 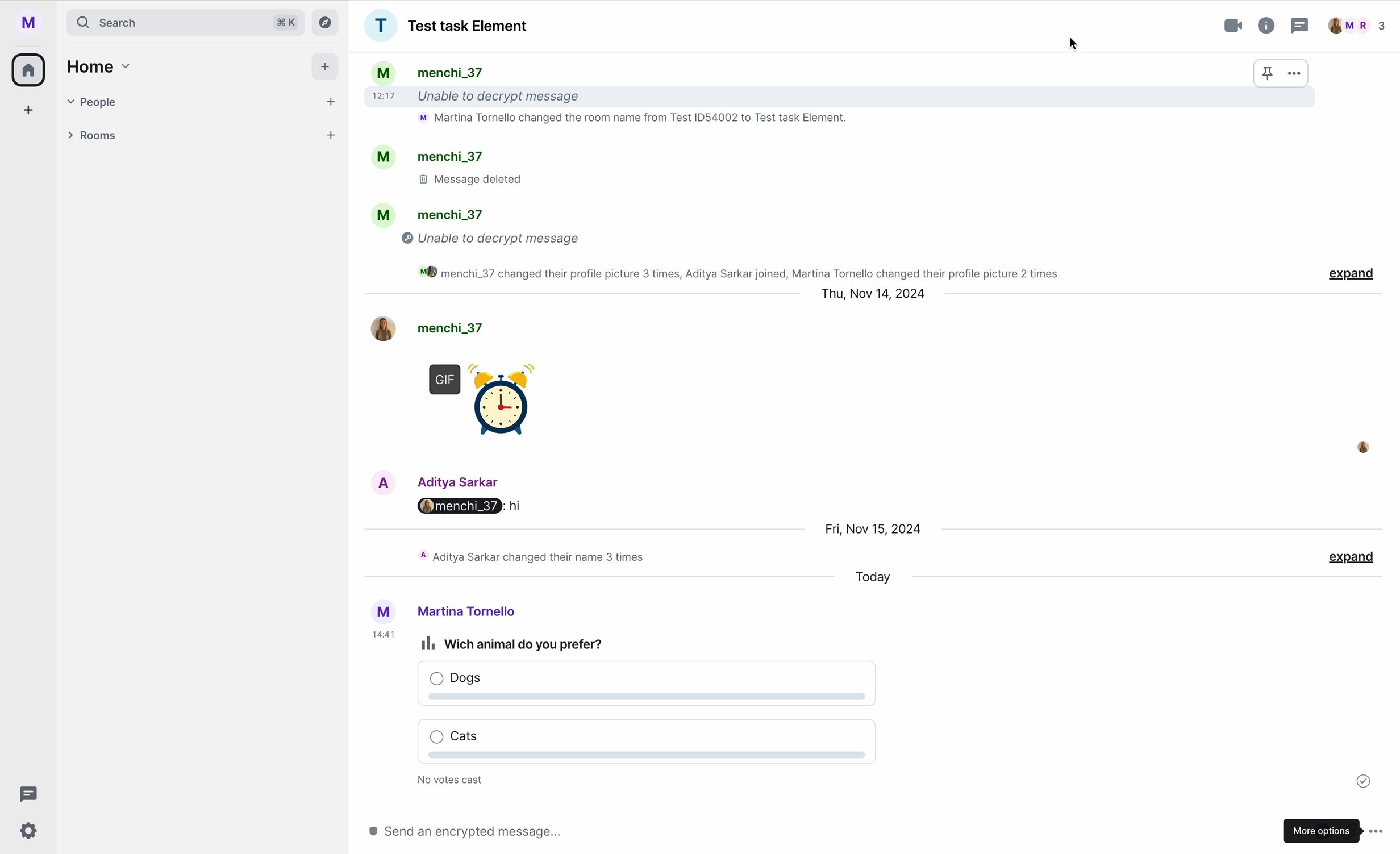 I want to click on A Aditya Sarkar, so click(x=448, y=480).